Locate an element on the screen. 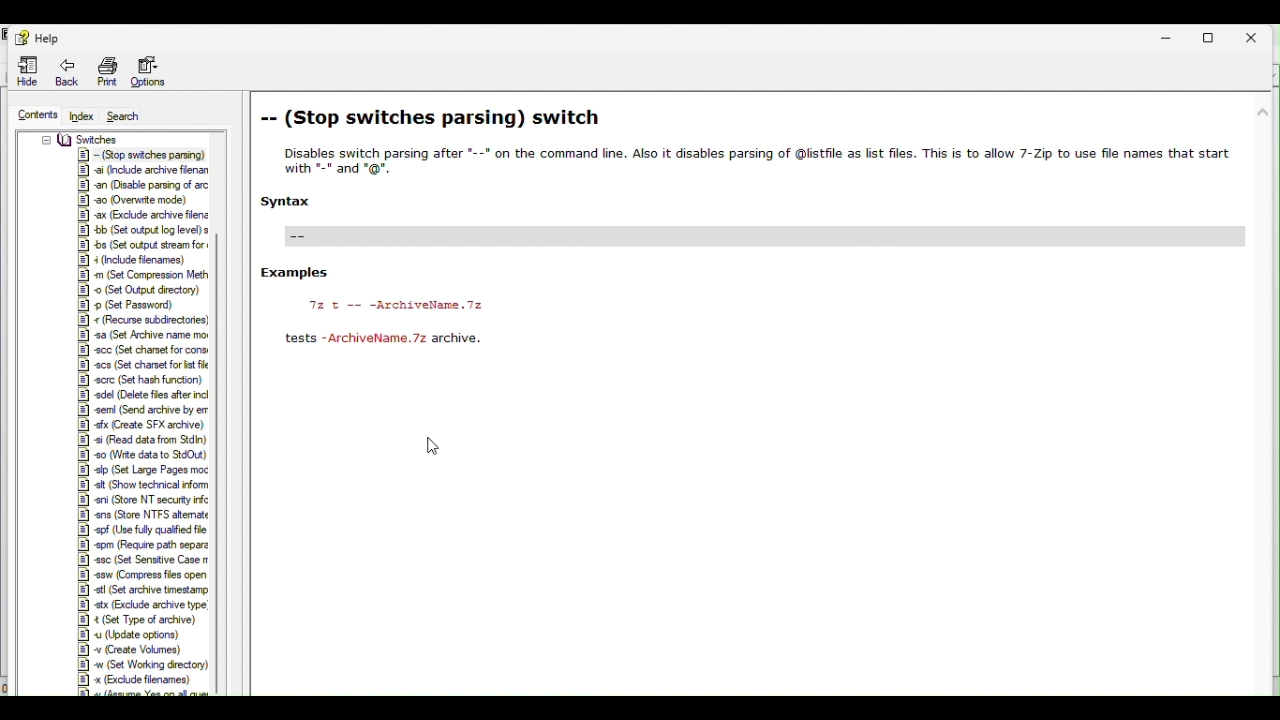 Image resolution: width=1280 pixels, height=720 pixels.  is located at coordinates (145, 170).